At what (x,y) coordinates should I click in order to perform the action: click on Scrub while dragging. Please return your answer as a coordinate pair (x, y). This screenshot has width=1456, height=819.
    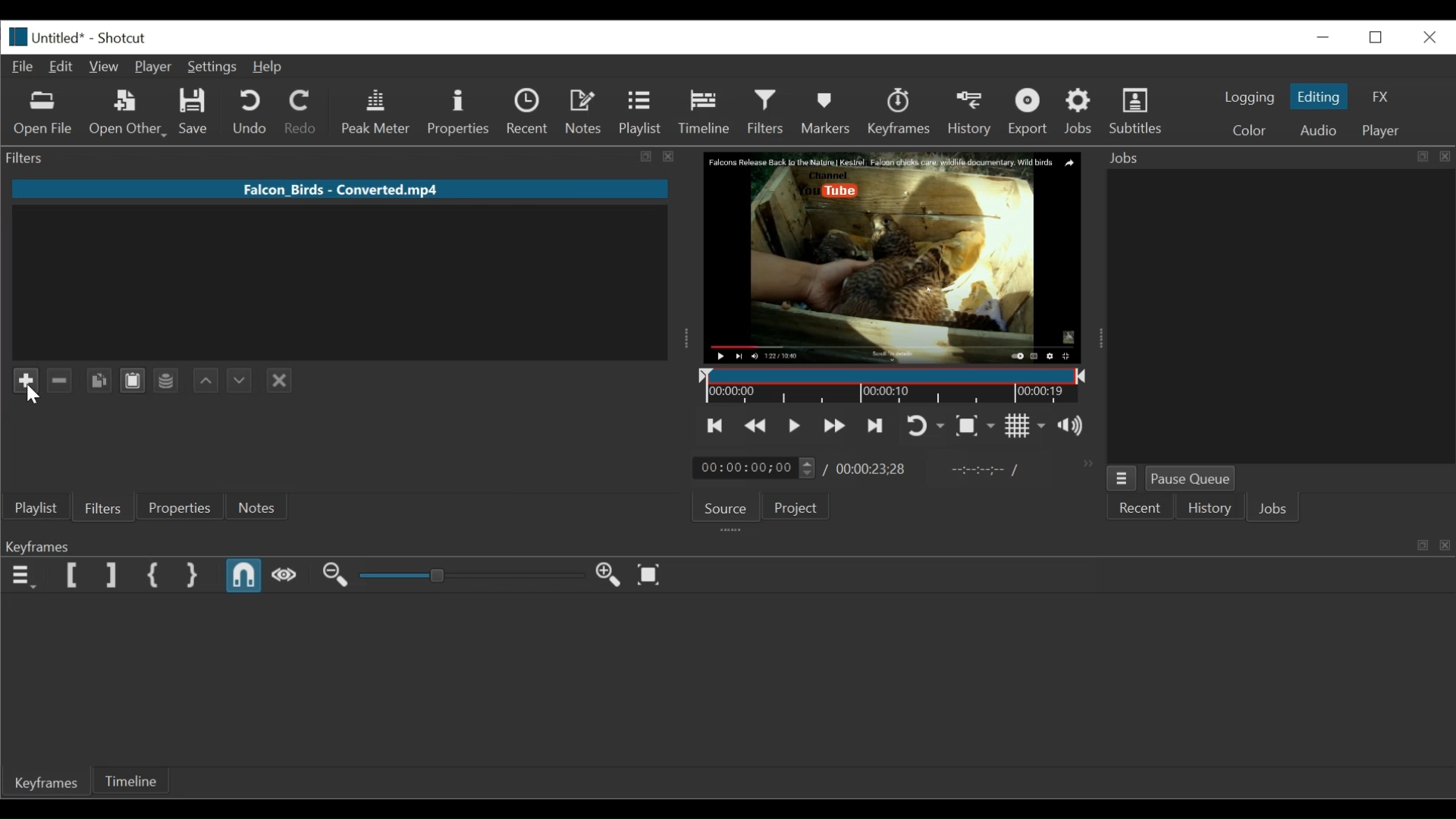
    Looking at the image, I should click on (284, 576).